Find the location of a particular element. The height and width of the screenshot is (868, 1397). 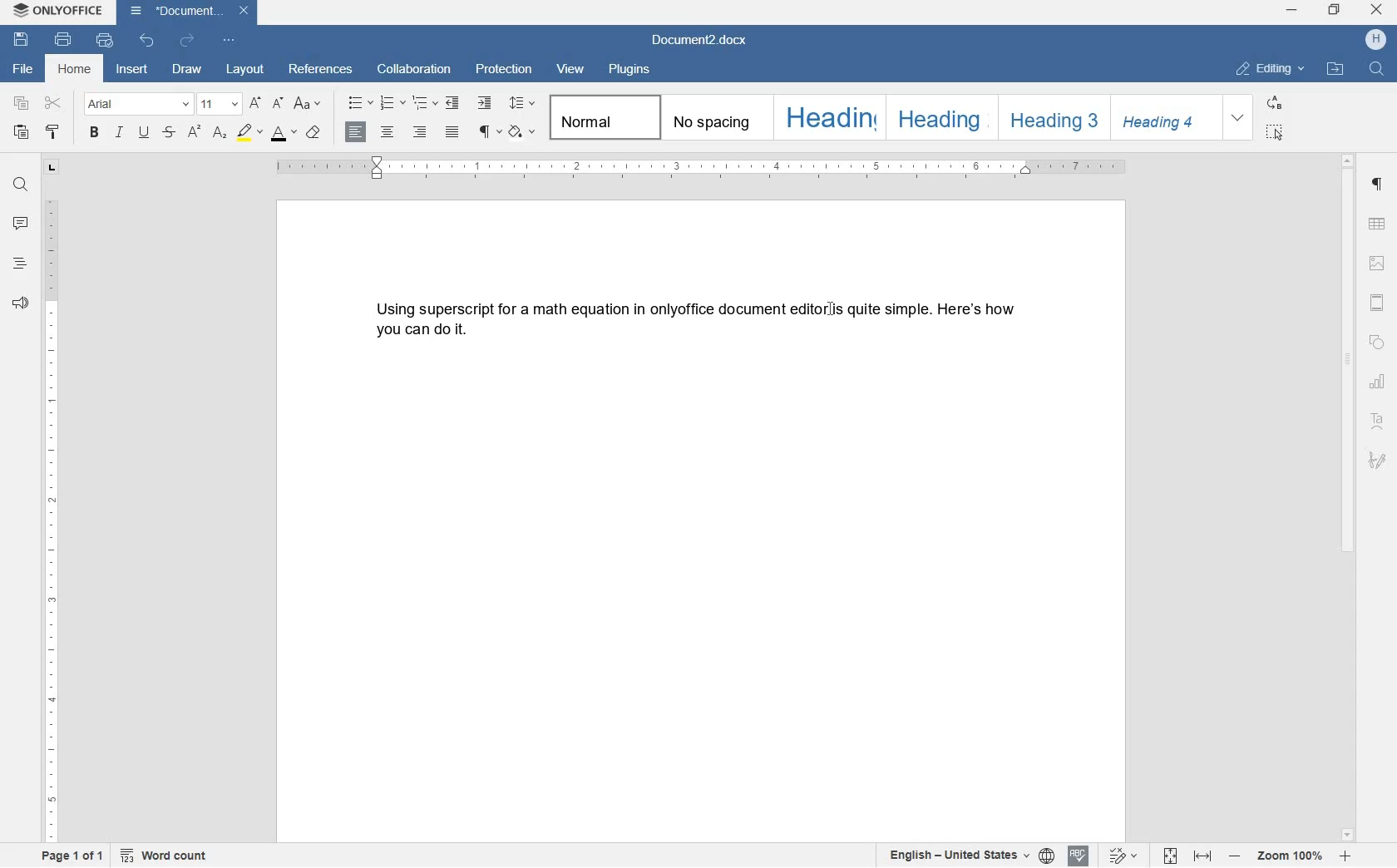

references is located at coordinates (321, 71).